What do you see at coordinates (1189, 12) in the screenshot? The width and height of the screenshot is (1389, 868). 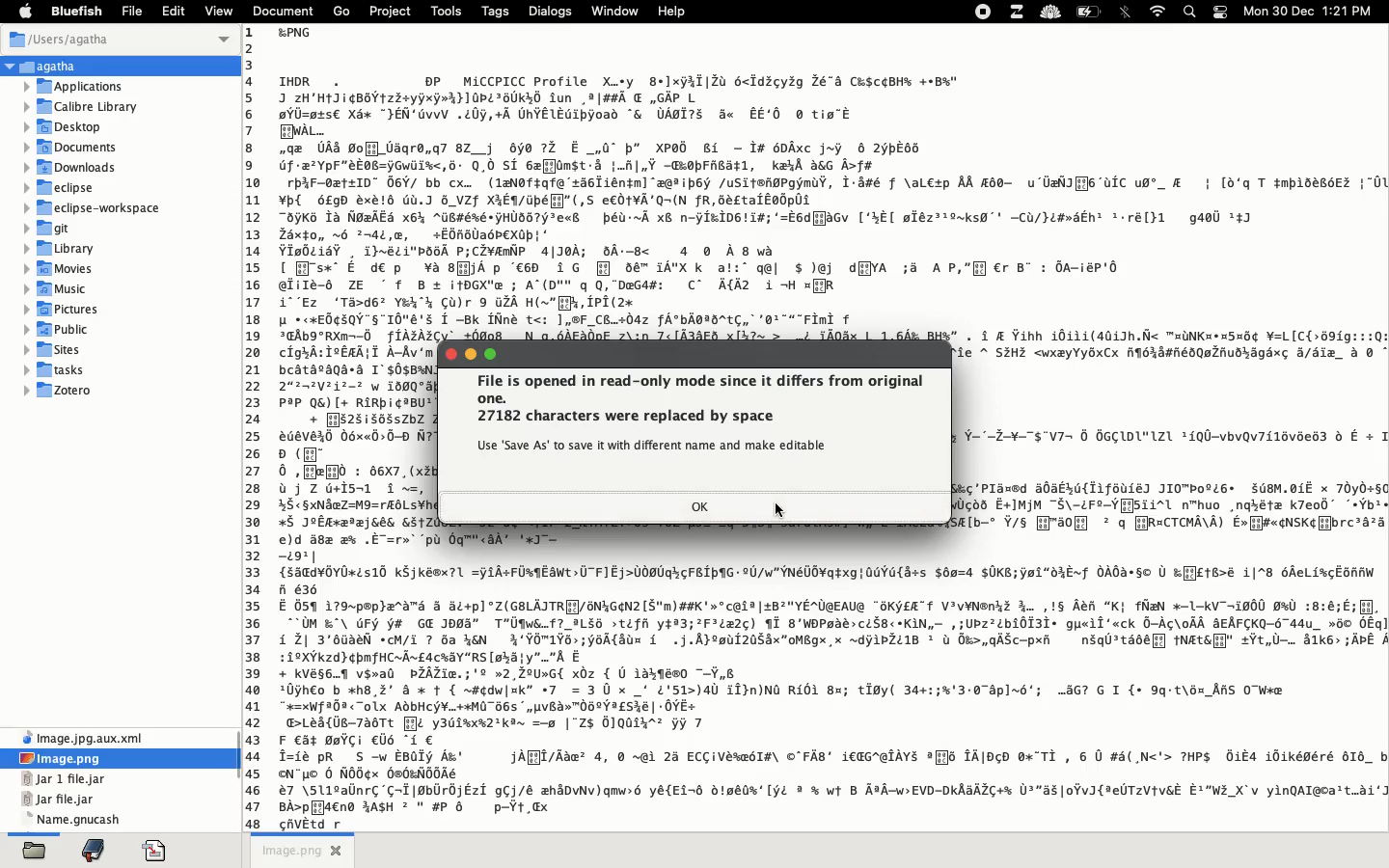 I see `search` at bounding box center [1189, 12].